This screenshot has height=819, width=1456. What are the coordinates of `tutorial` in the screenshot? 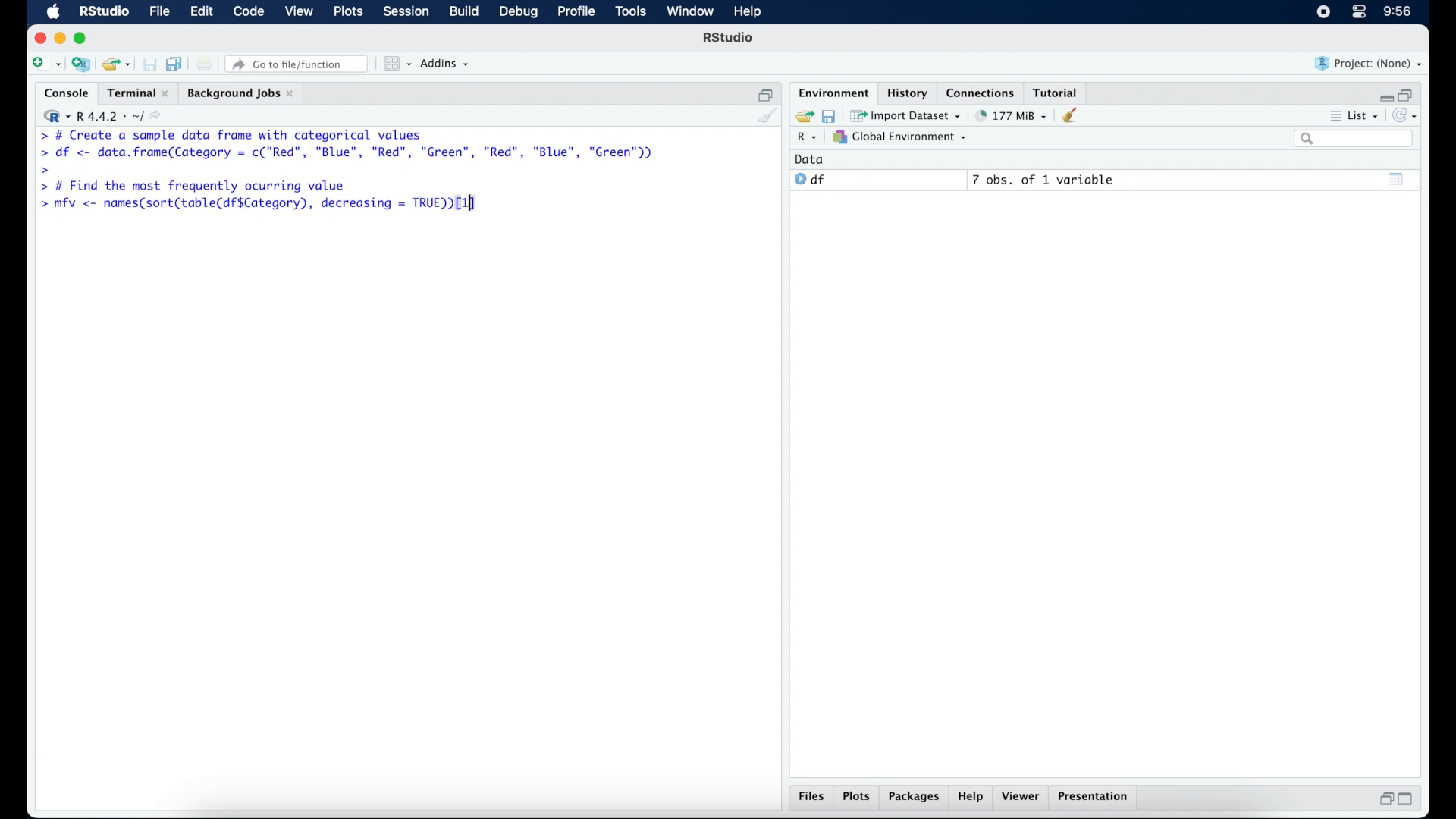 It's located at (1059, 92).